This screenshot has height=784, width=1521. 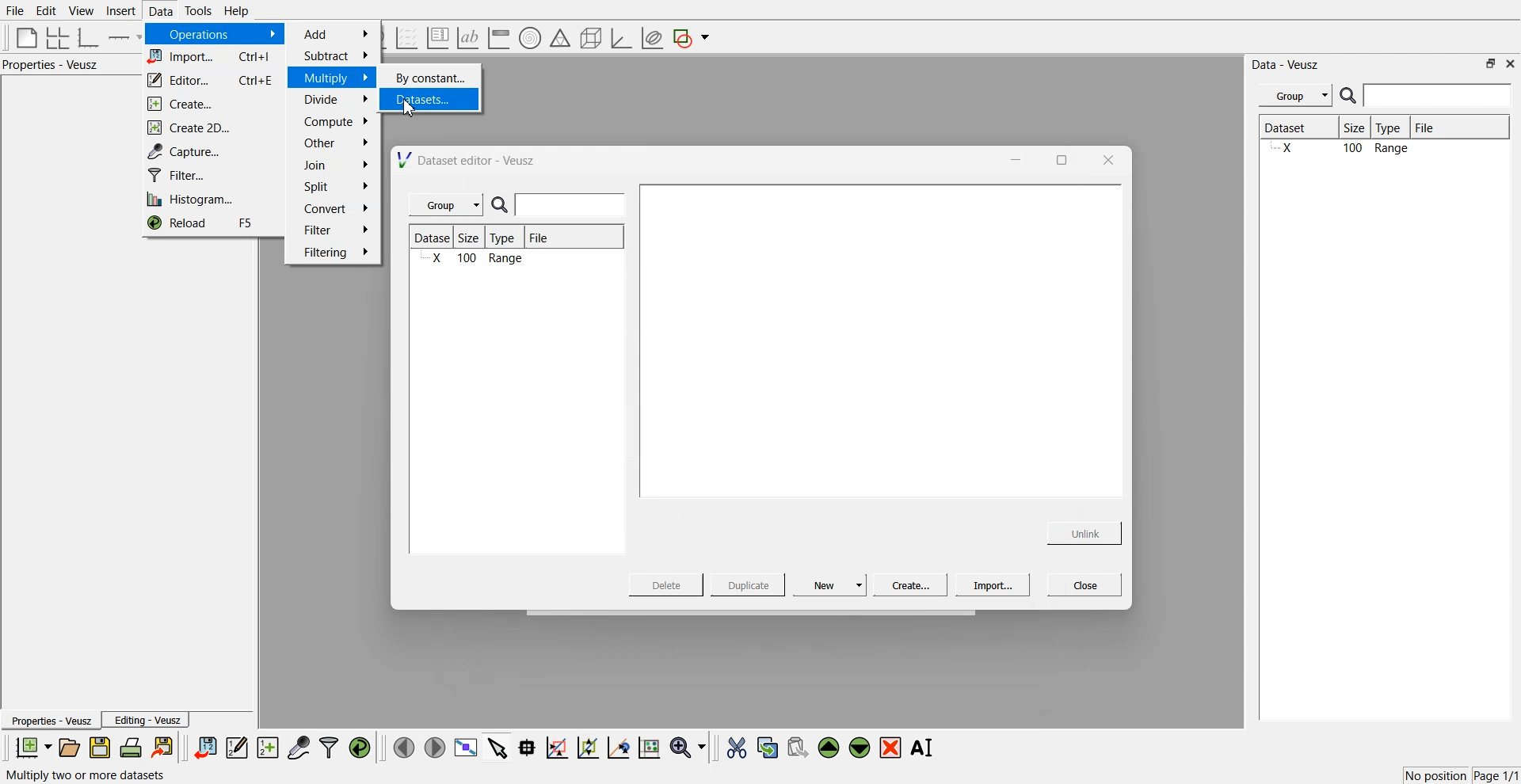 What do you see at coordinates (925, 748) in the screenshot?
I see `Rename the selected widgets` at bounding box center [925, 748].